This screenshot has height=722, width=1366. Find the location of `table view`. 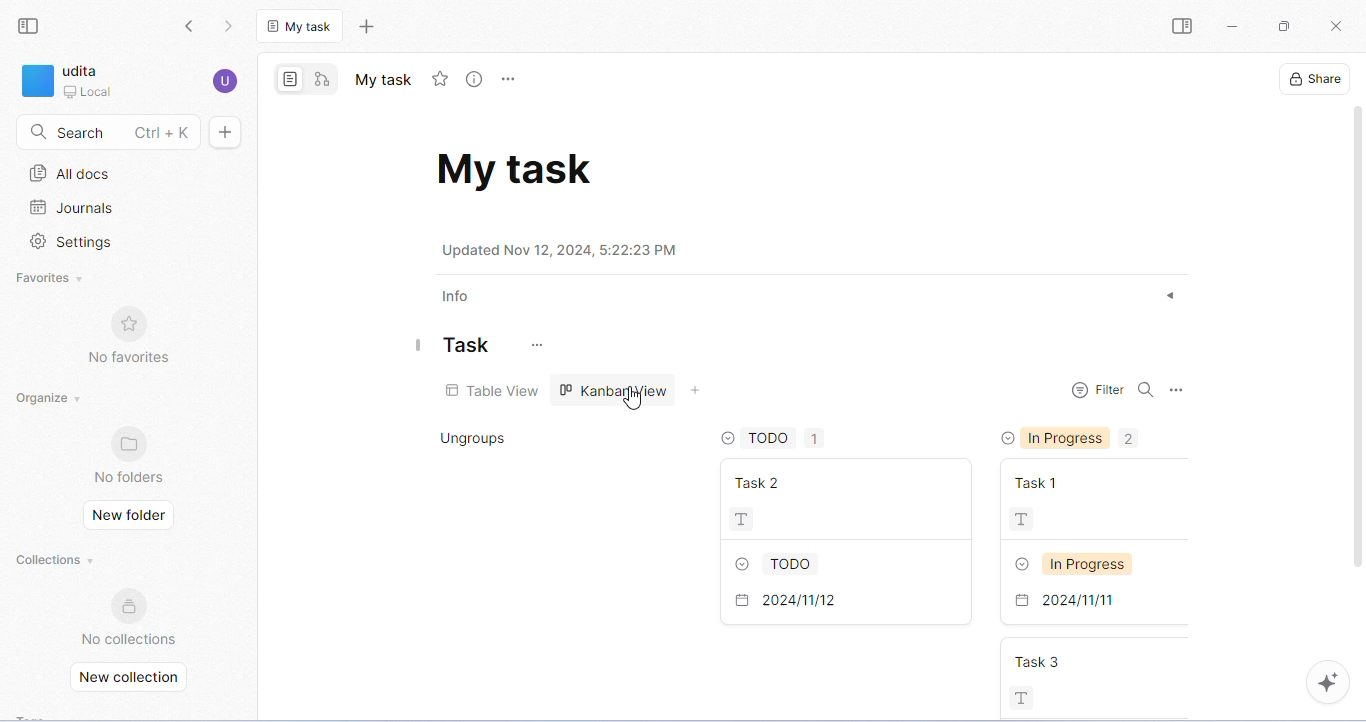

table view is located at coordinates (493, 391).